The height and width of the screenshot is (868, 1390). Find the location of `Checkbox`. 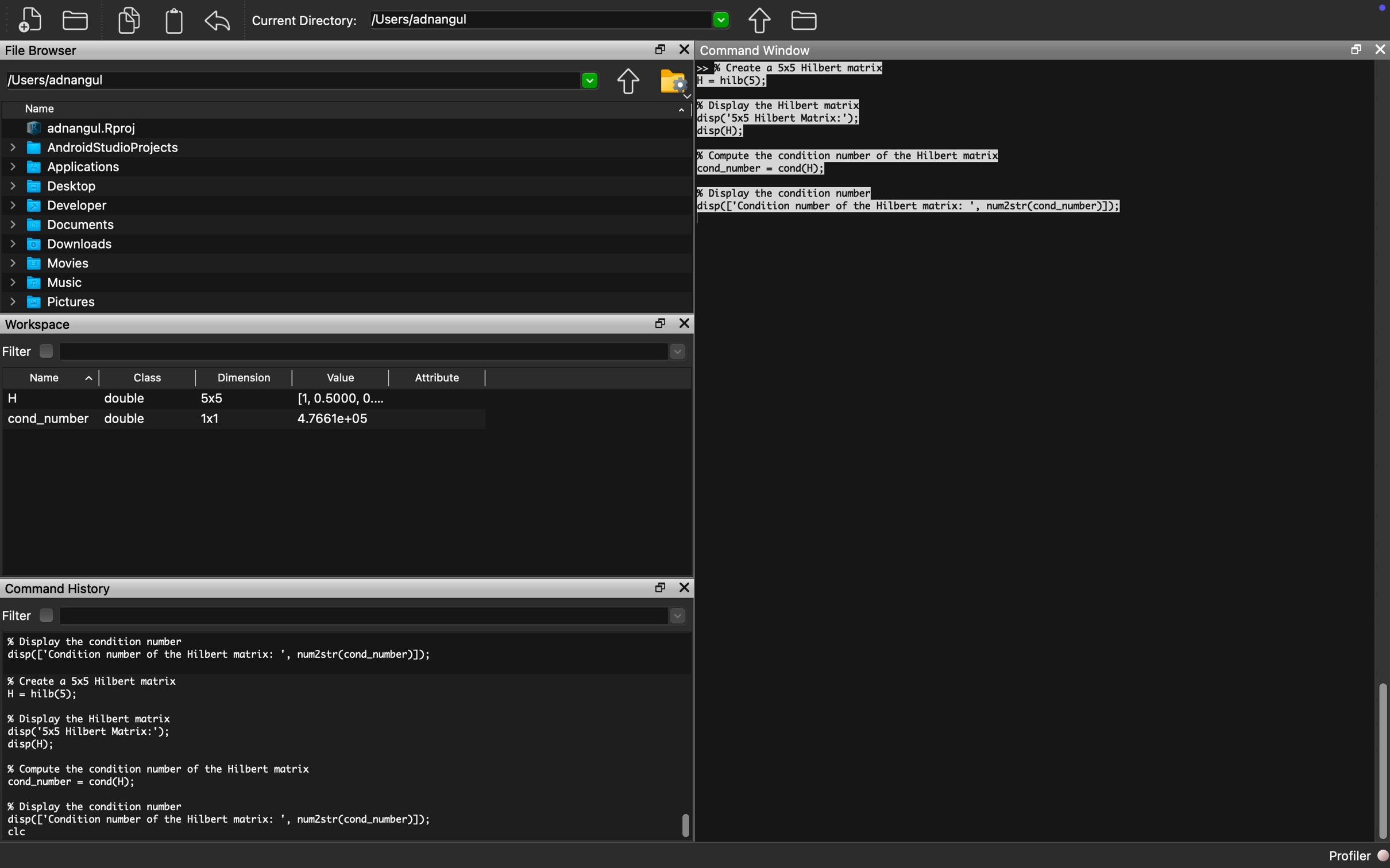

Checkbox is located at coordinates (46, 615).